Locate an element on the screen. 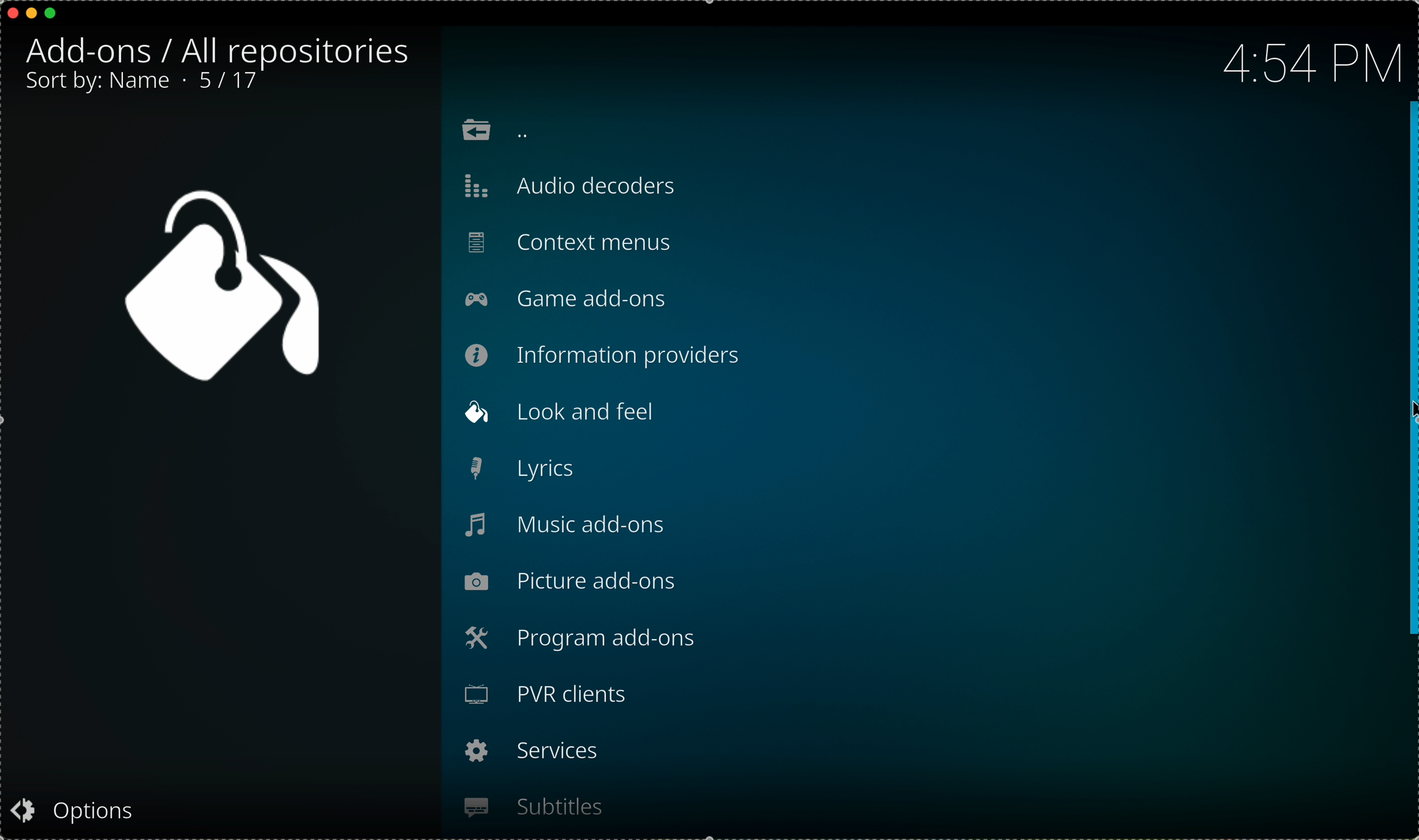 The width and height of the screenshot is (1419, 840). services is located at coordinates (531, 753).